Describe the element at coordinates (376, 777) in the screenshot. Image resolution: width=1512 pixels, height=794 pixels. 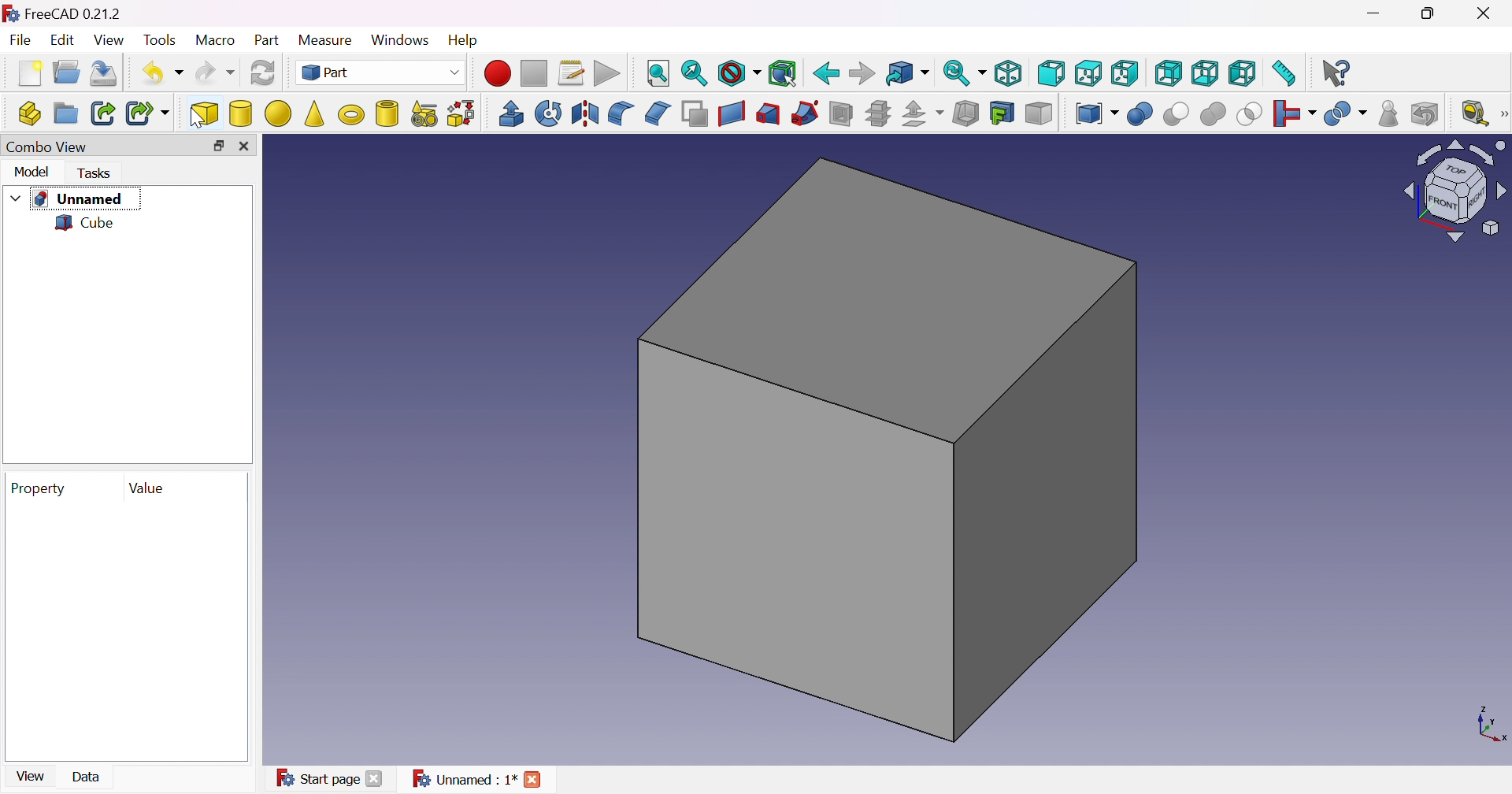
I see `Close` at that location.